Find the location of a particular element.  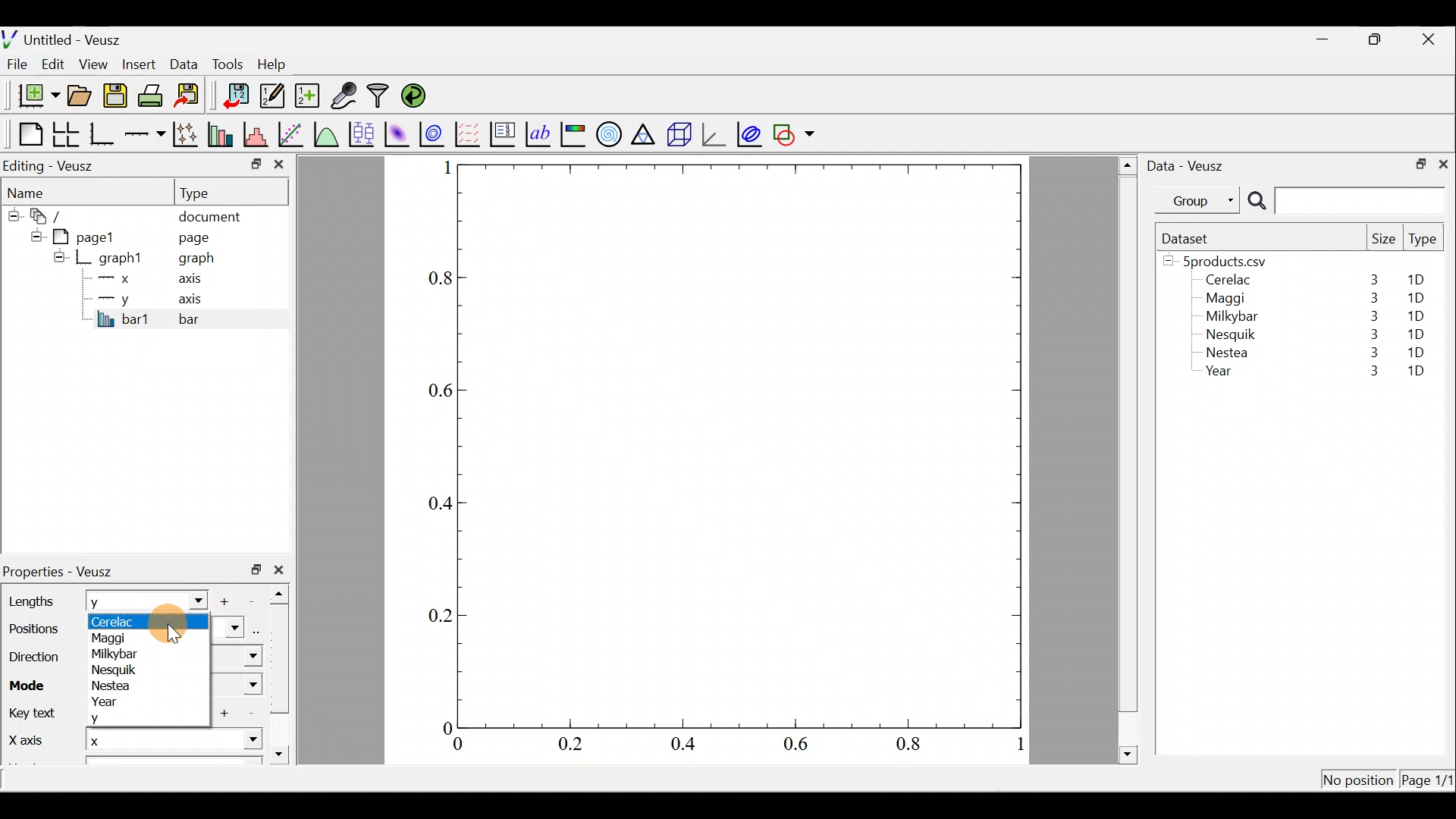

Maggi is located at coordinates (118, 637).